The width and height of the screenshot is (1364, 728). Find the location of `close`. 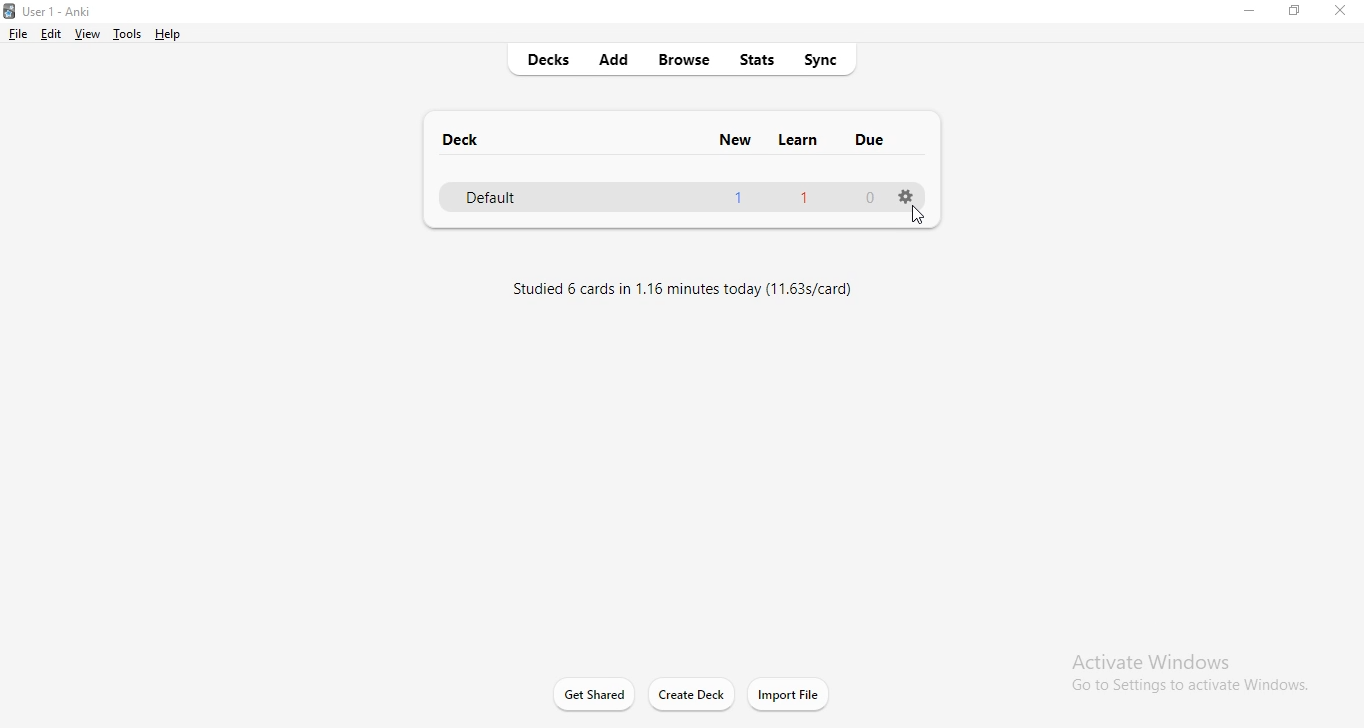

close is located at coordinates (1338, 14).